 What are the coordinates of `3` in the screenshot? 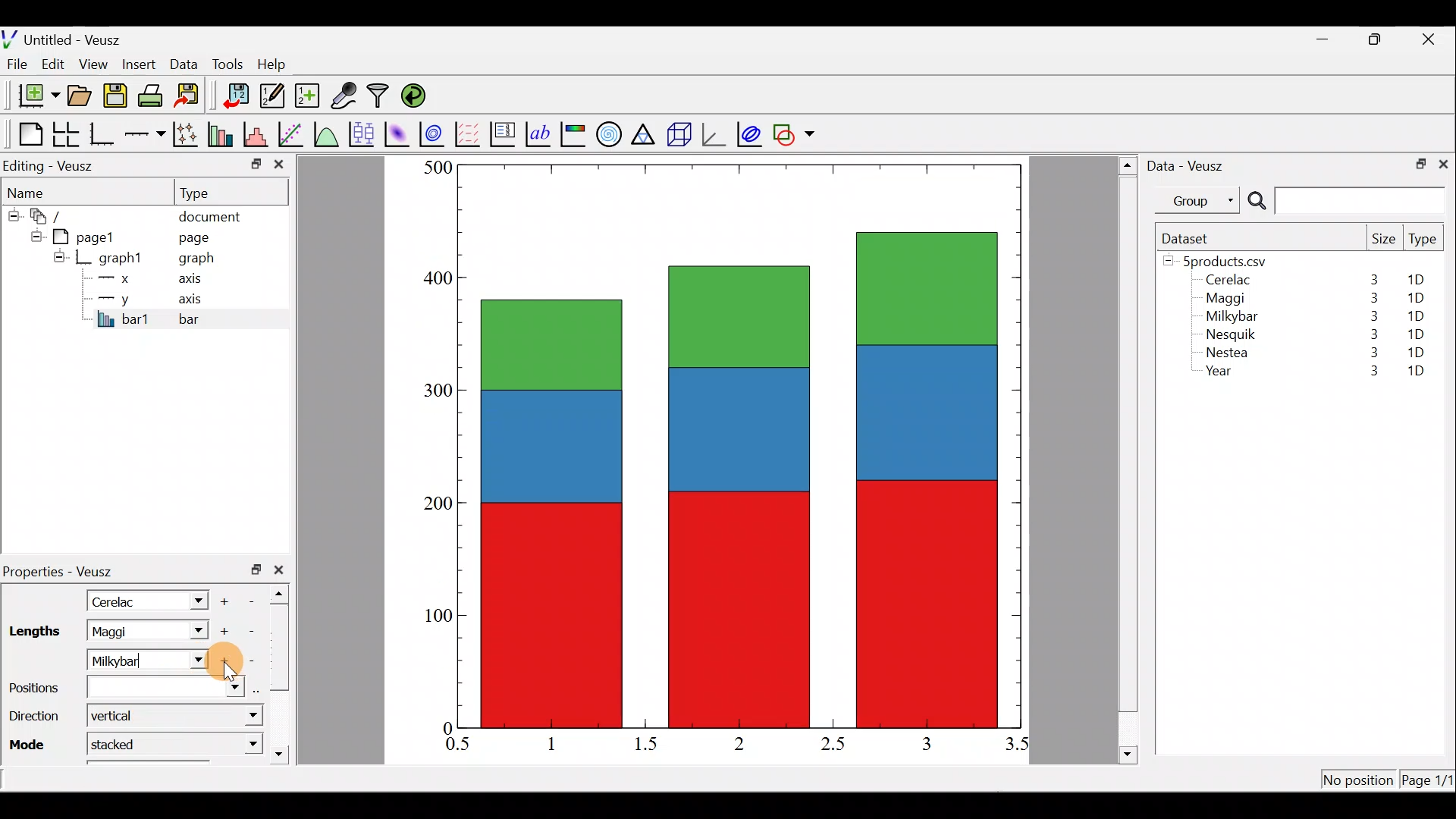 It's located at (1371, 334).